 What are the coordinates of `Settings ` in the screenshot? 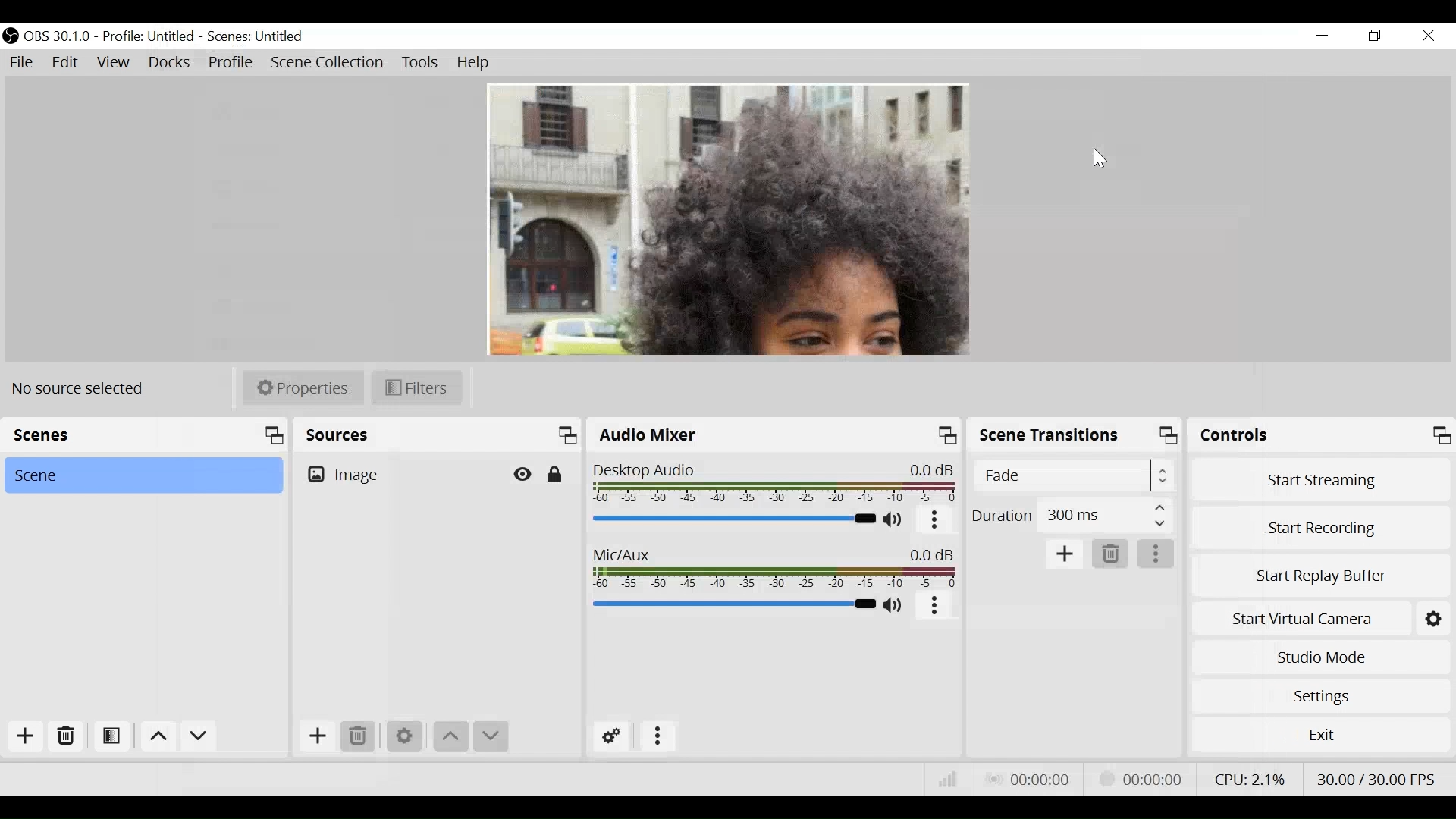 It's located at (403, 734).